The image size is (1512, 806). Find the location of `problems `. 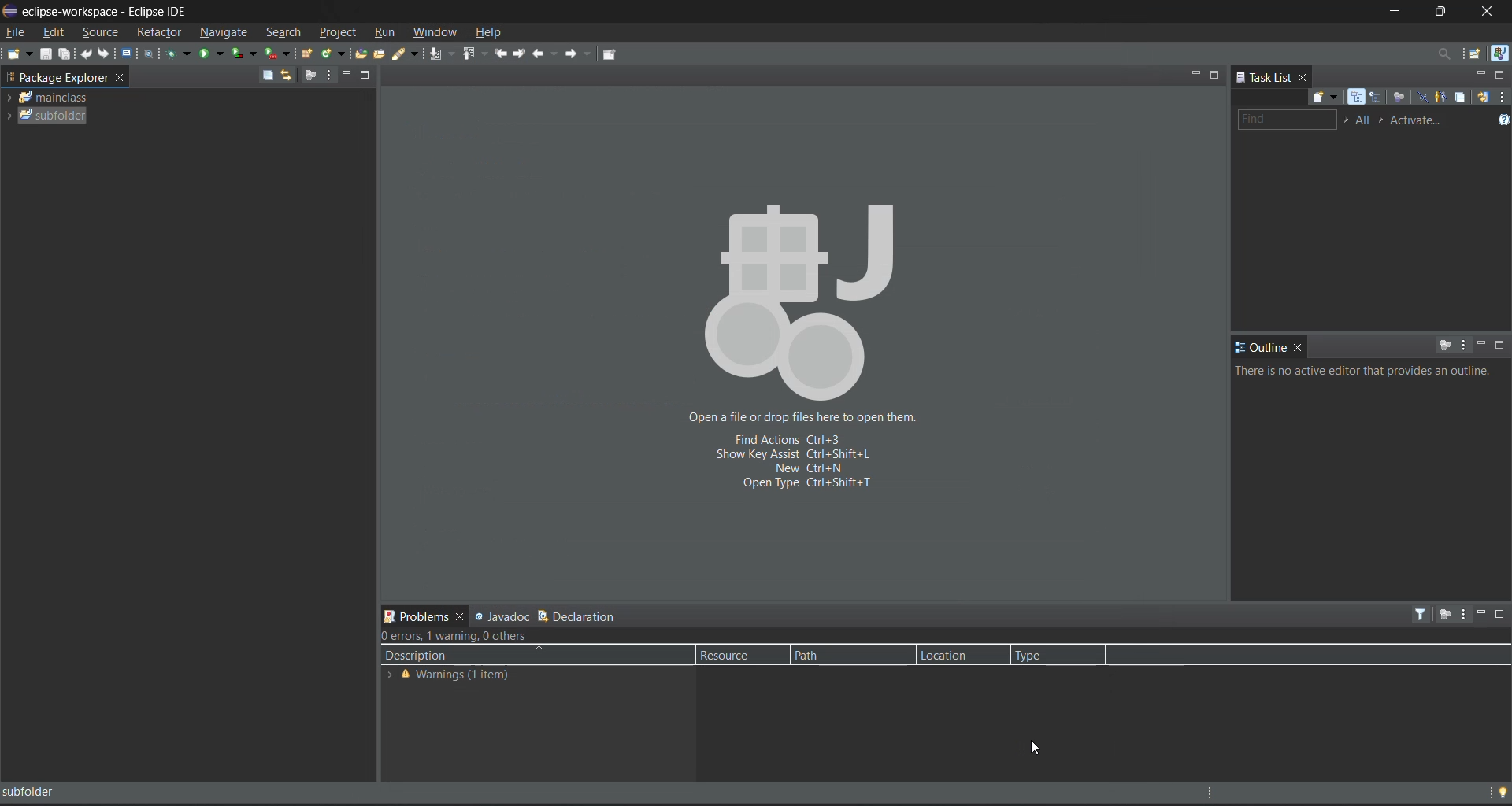

problems  is located at coordinates (409, 616).